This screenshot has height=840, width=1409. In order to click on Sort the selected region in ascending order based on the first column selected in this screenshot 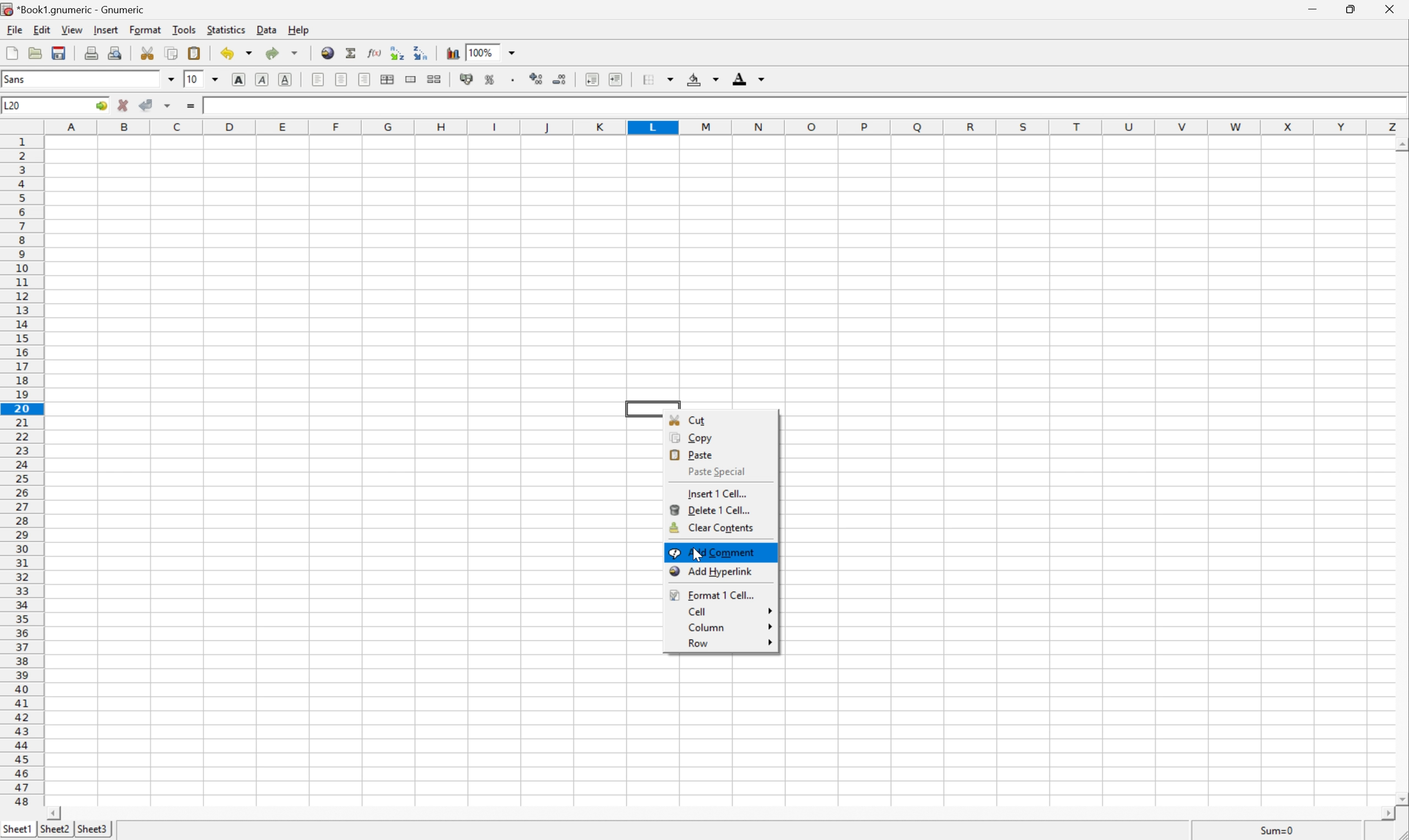, I will do `click(395, 51)`.